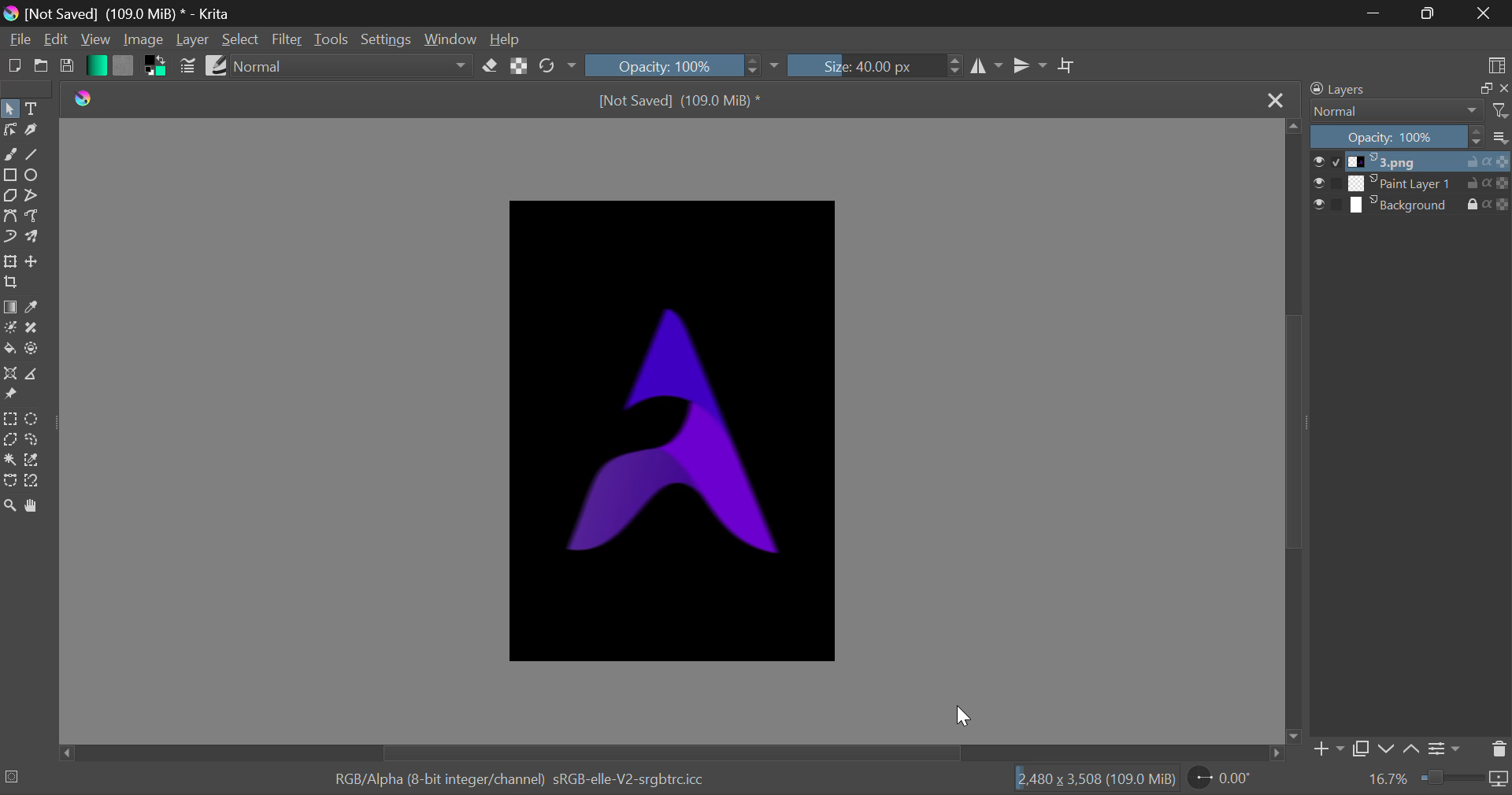  What do you see at coordinates (33, 484) in the screenshot?
I see `Magnetic Selection Tool` at bounding box center [33, 484].